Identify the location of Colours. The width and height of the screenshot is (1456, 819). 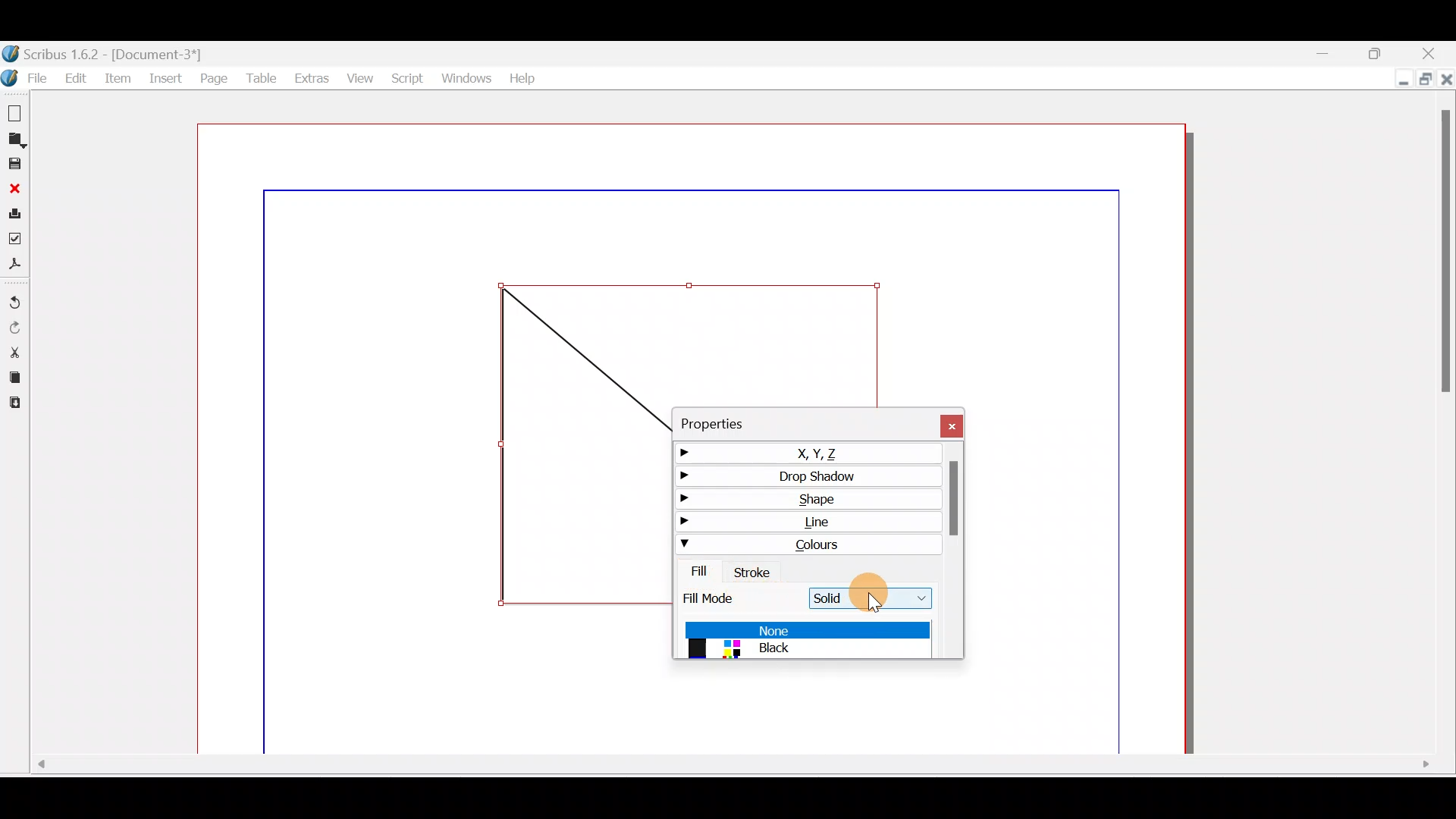
(807, 543).